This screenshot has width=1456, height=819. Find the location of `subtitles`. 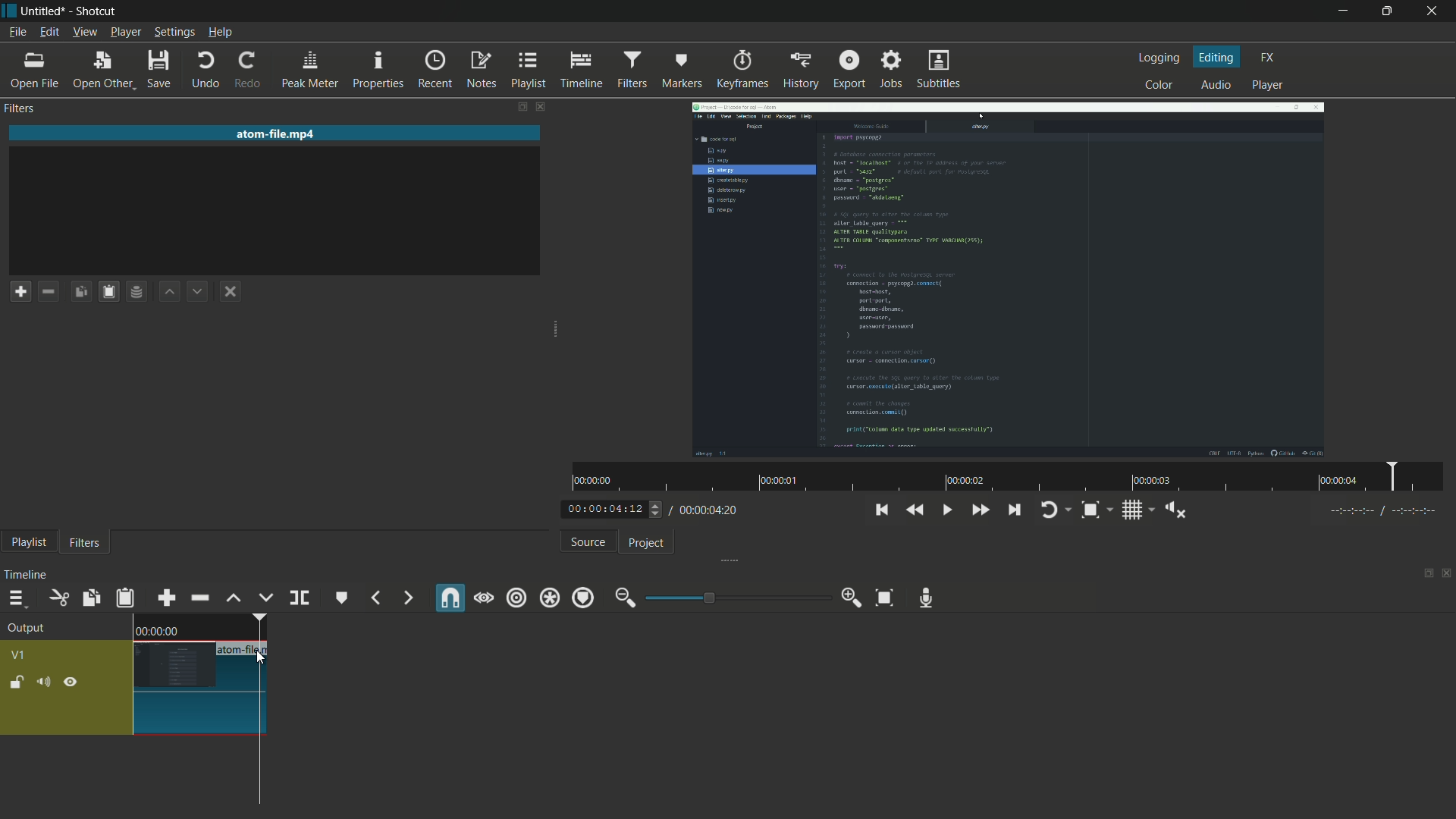

subtitles is located at coordinates (941, 69).